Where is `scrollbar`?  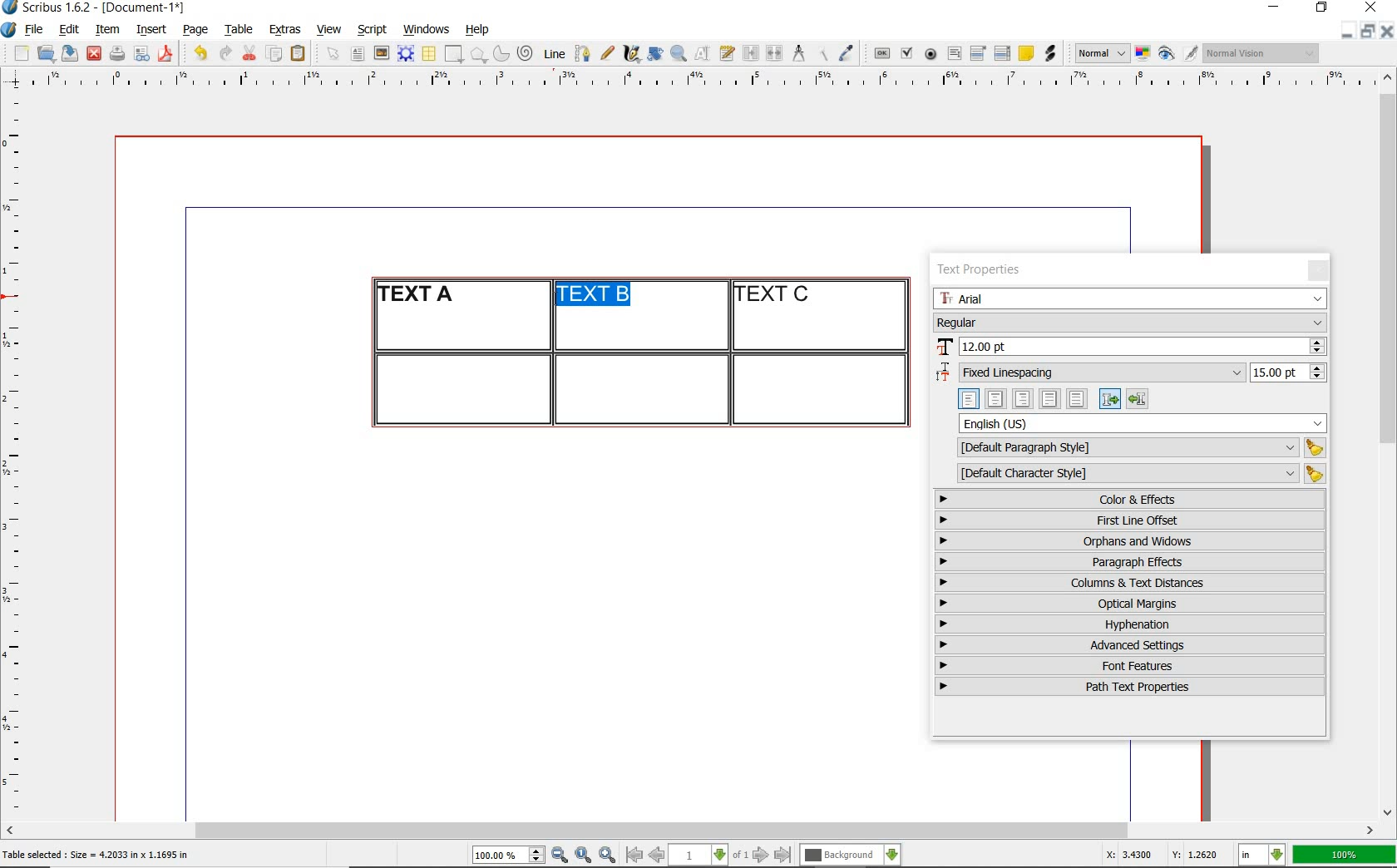
scrollbar is located at coordinates (690, 832).